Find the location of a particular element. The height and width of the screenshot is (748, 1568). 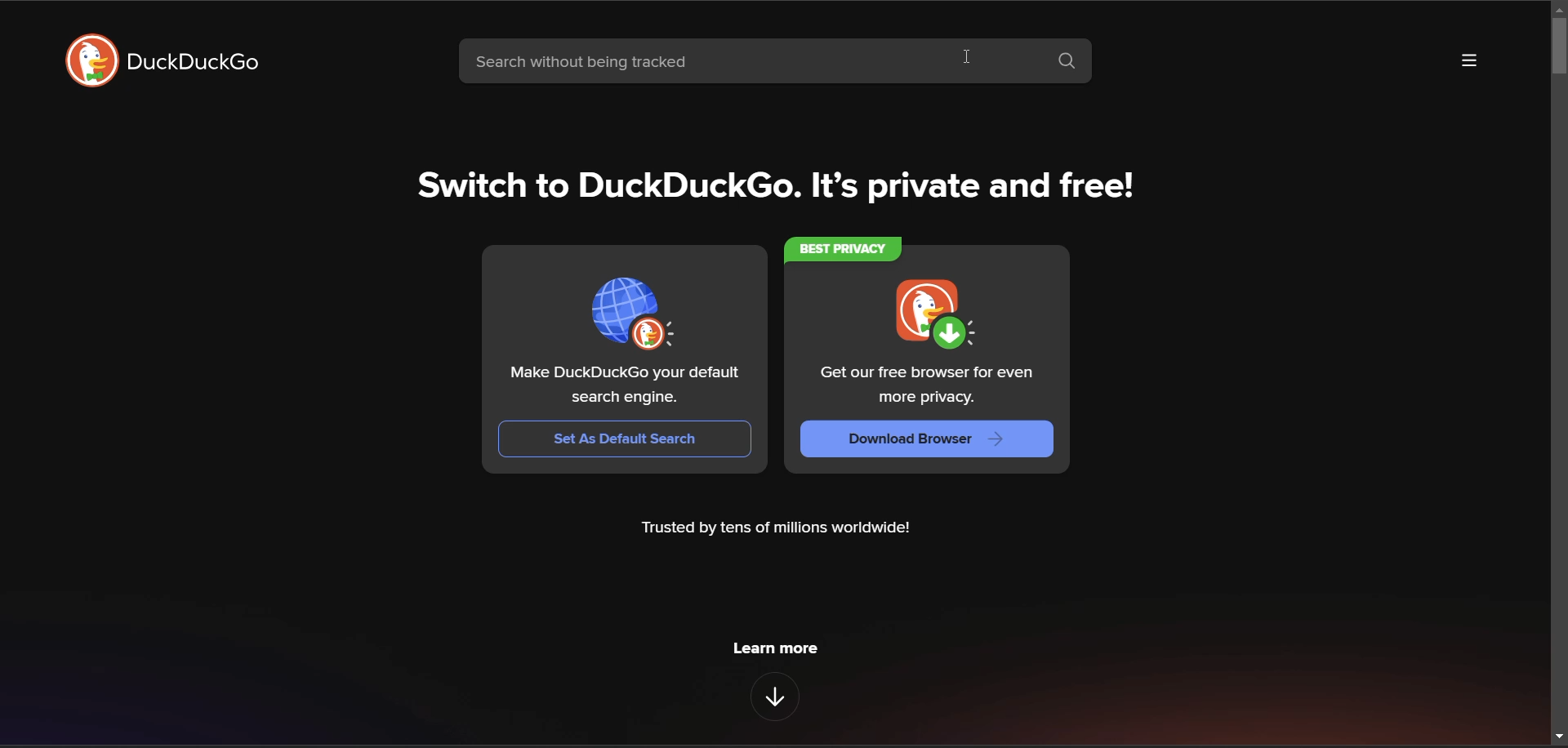

logo and title is located at coordinates (163, 60).